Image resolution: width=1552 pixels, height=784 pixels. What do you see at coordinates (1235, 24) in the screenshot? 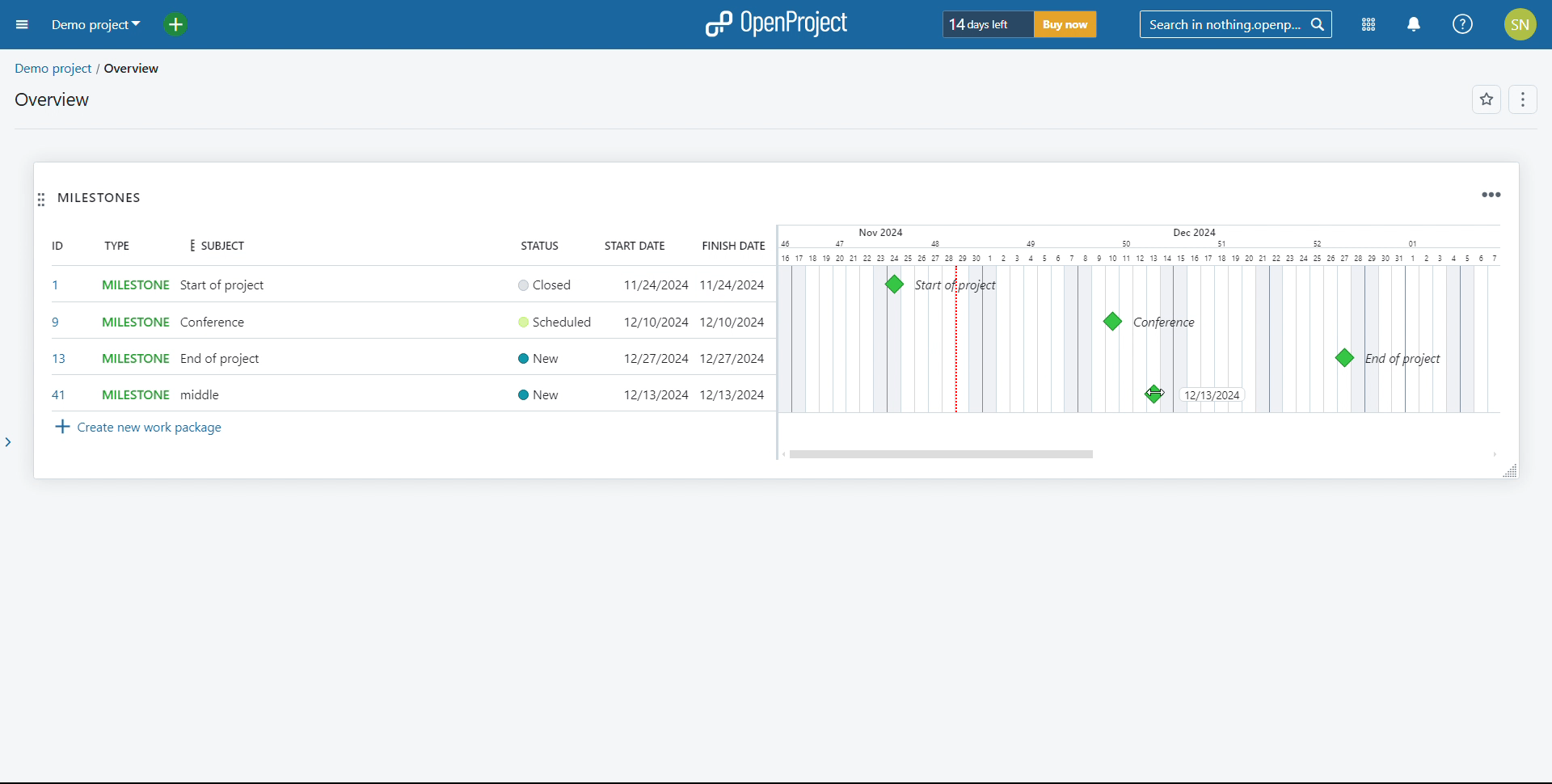
I see `search` at bounding box center [1235, 24].